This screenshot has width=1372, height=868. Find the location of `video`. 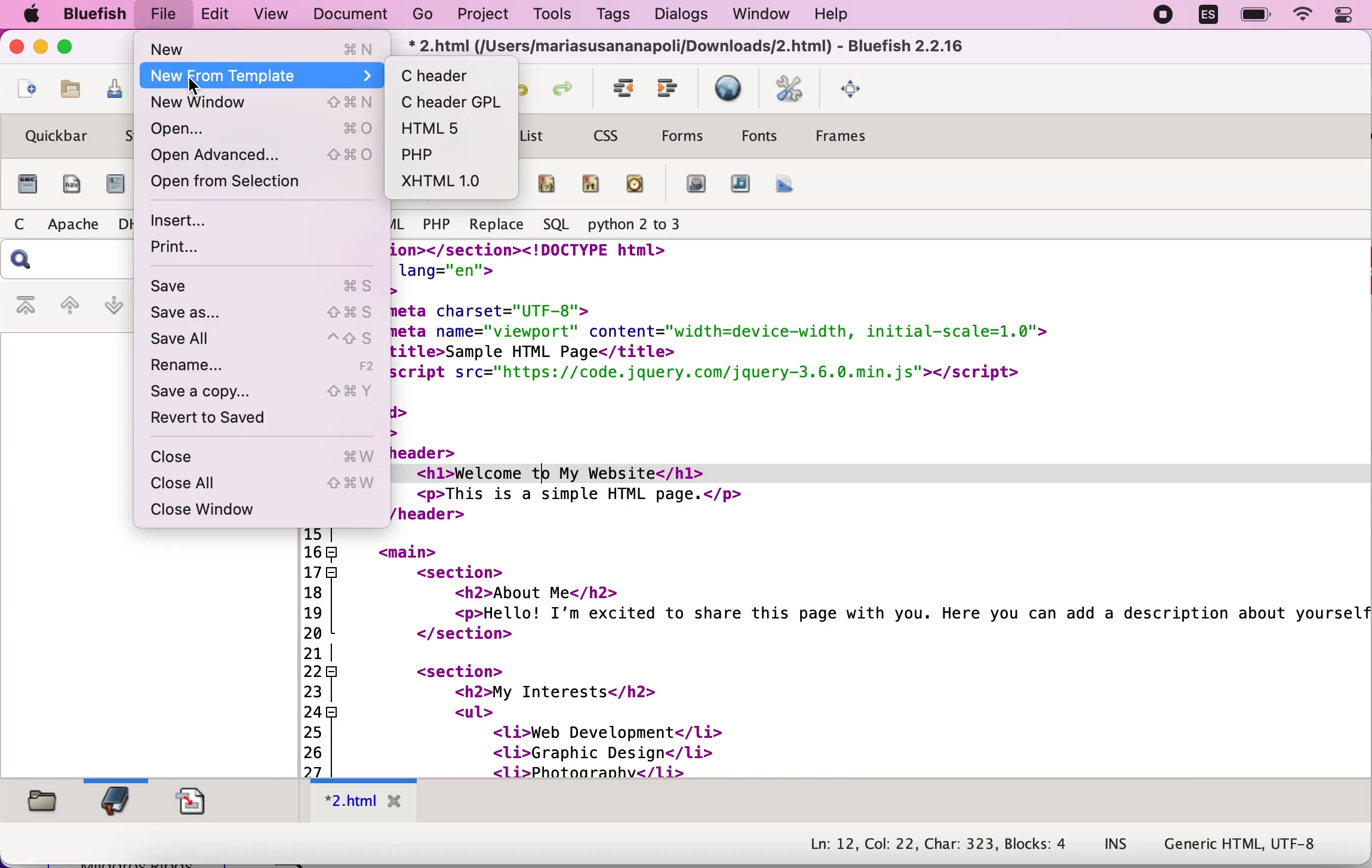

video is located at coordinates (694, 186).